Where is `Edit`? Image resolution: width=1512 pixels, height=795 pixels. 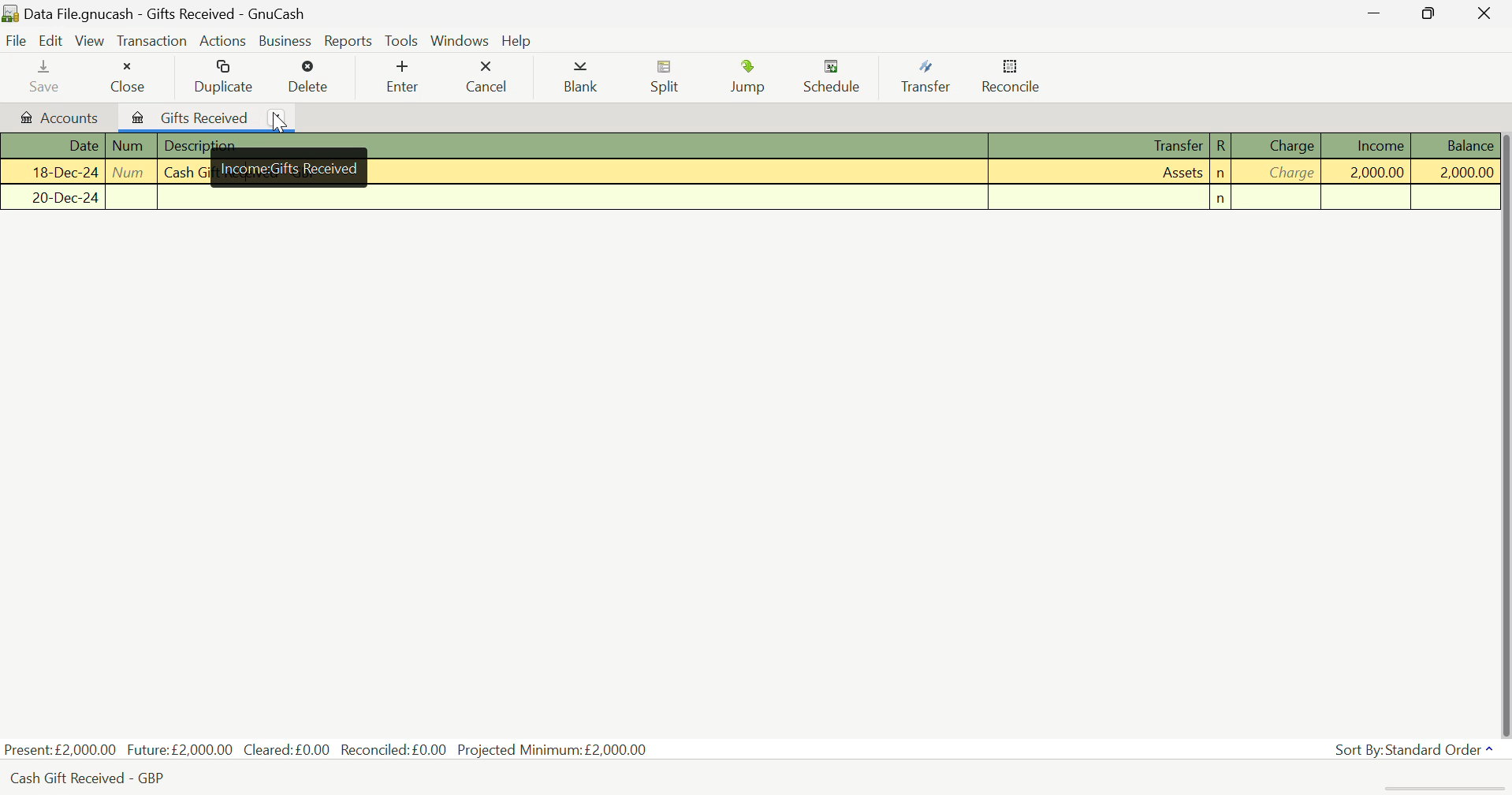 Edit is located at coordinates (54, 41).